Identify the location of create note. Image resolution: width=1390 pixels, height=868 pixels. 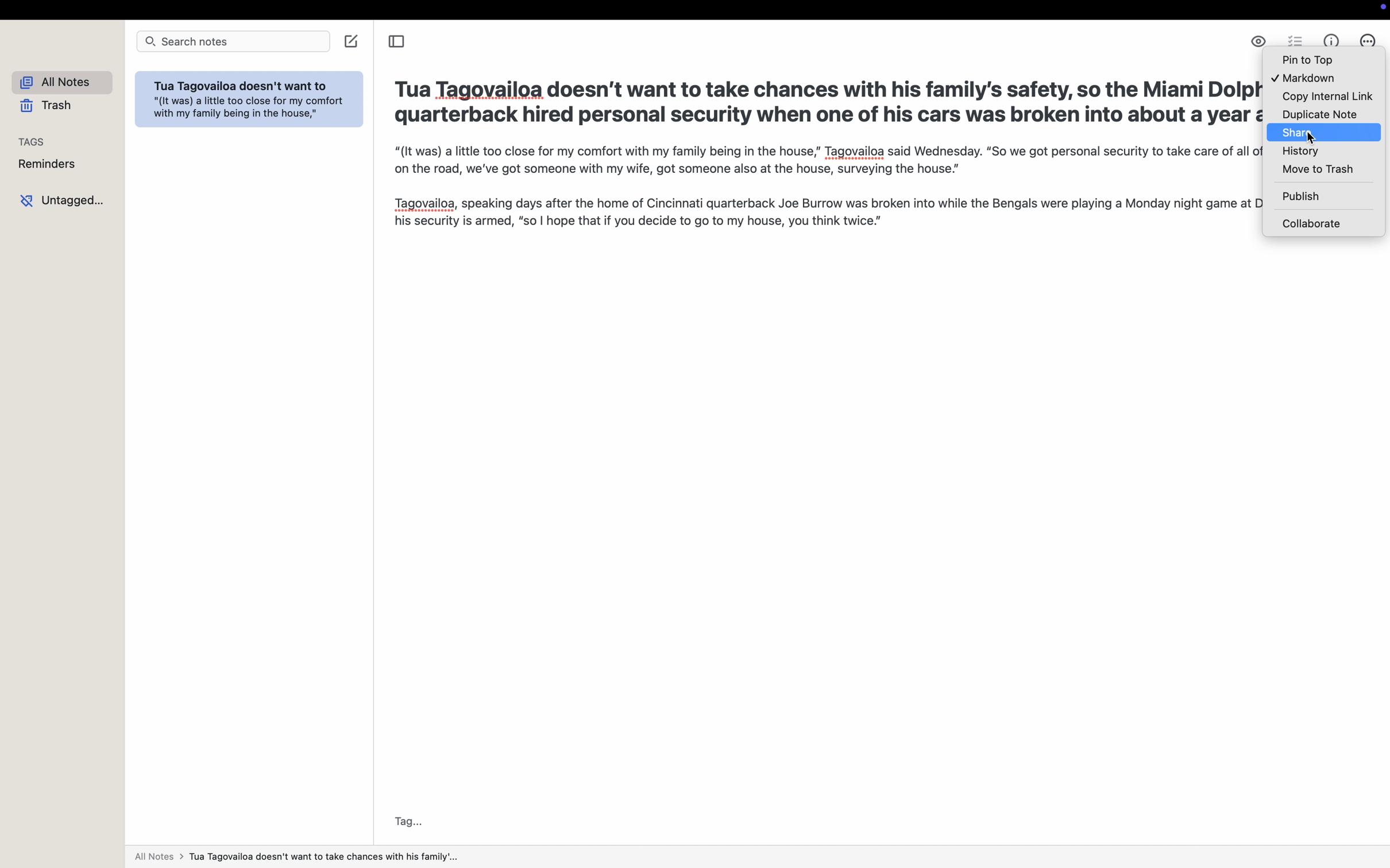
(352, 41).